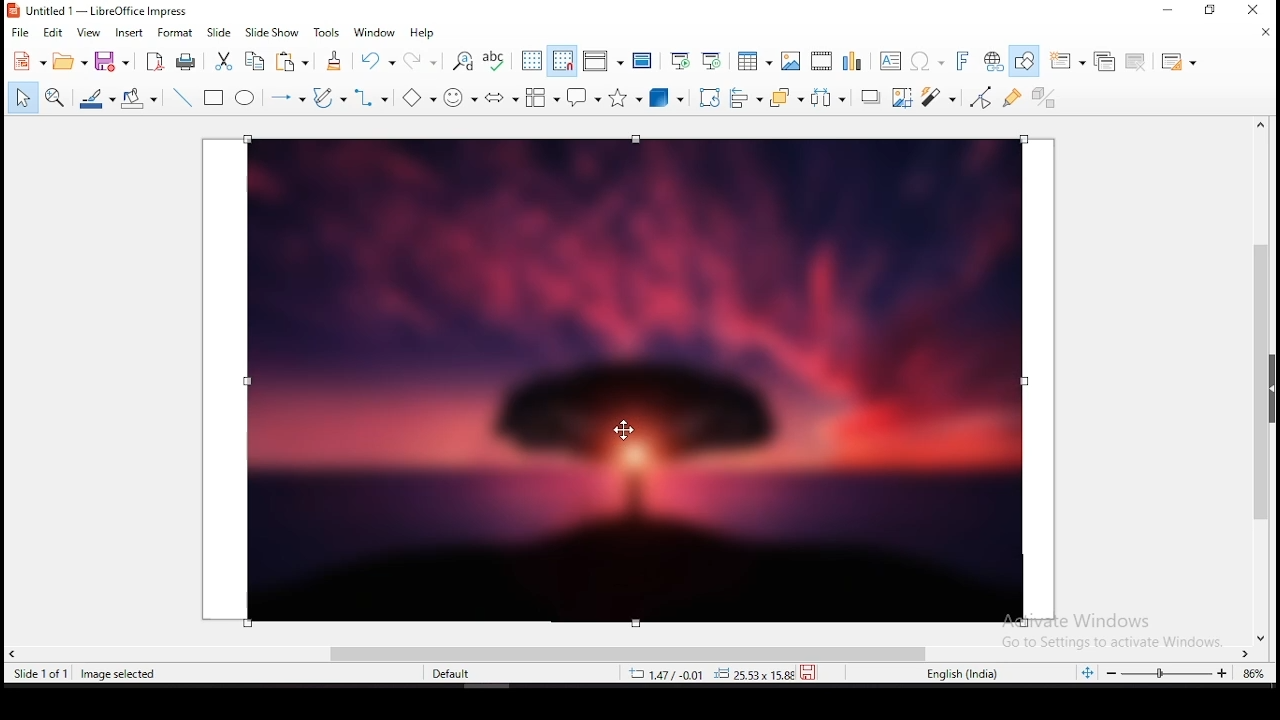  I want to click on save, so click(811, 671).